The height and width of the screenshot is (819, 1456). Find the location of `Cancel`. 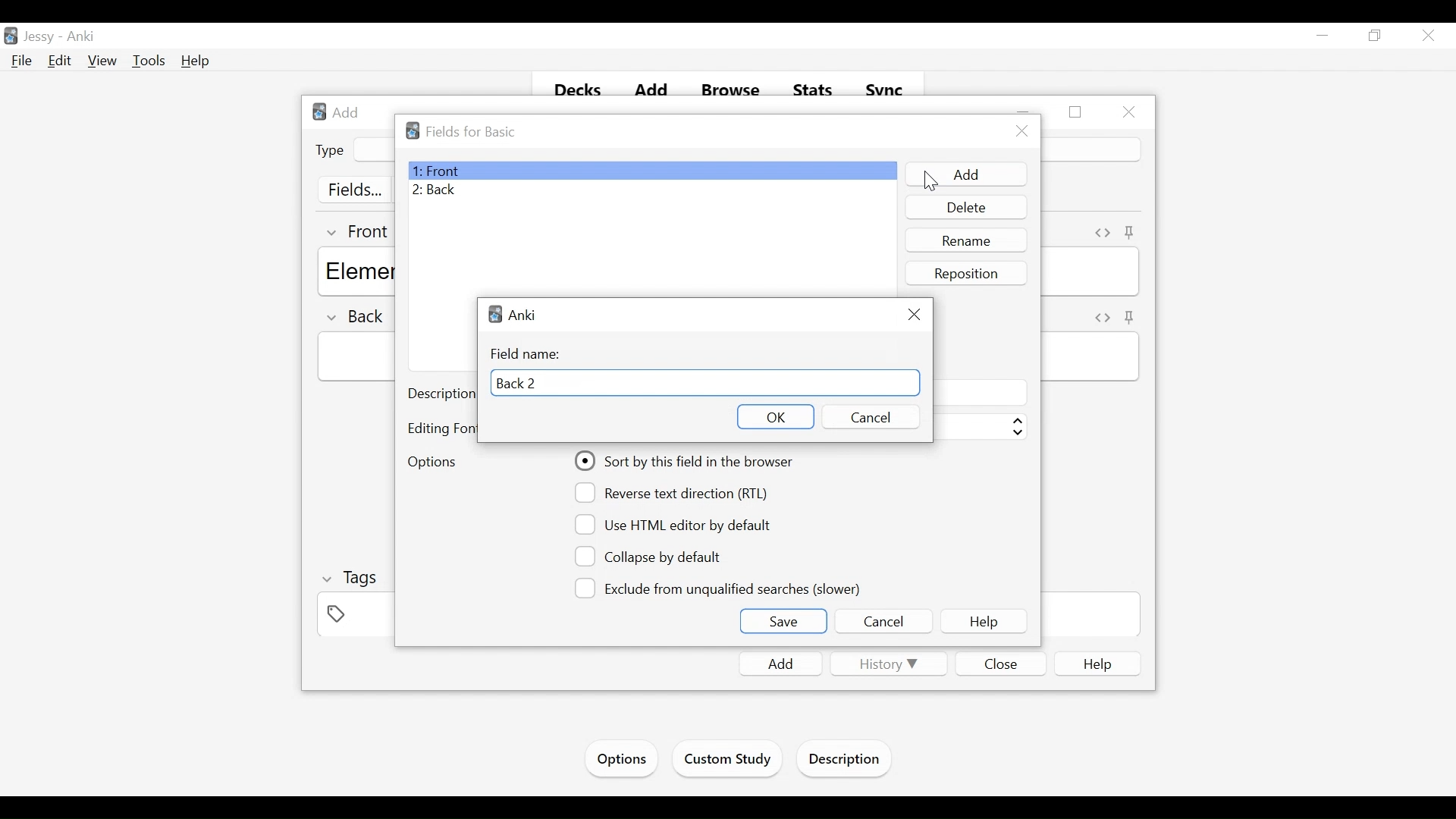

Cancel is located at coordinates (884, 622).